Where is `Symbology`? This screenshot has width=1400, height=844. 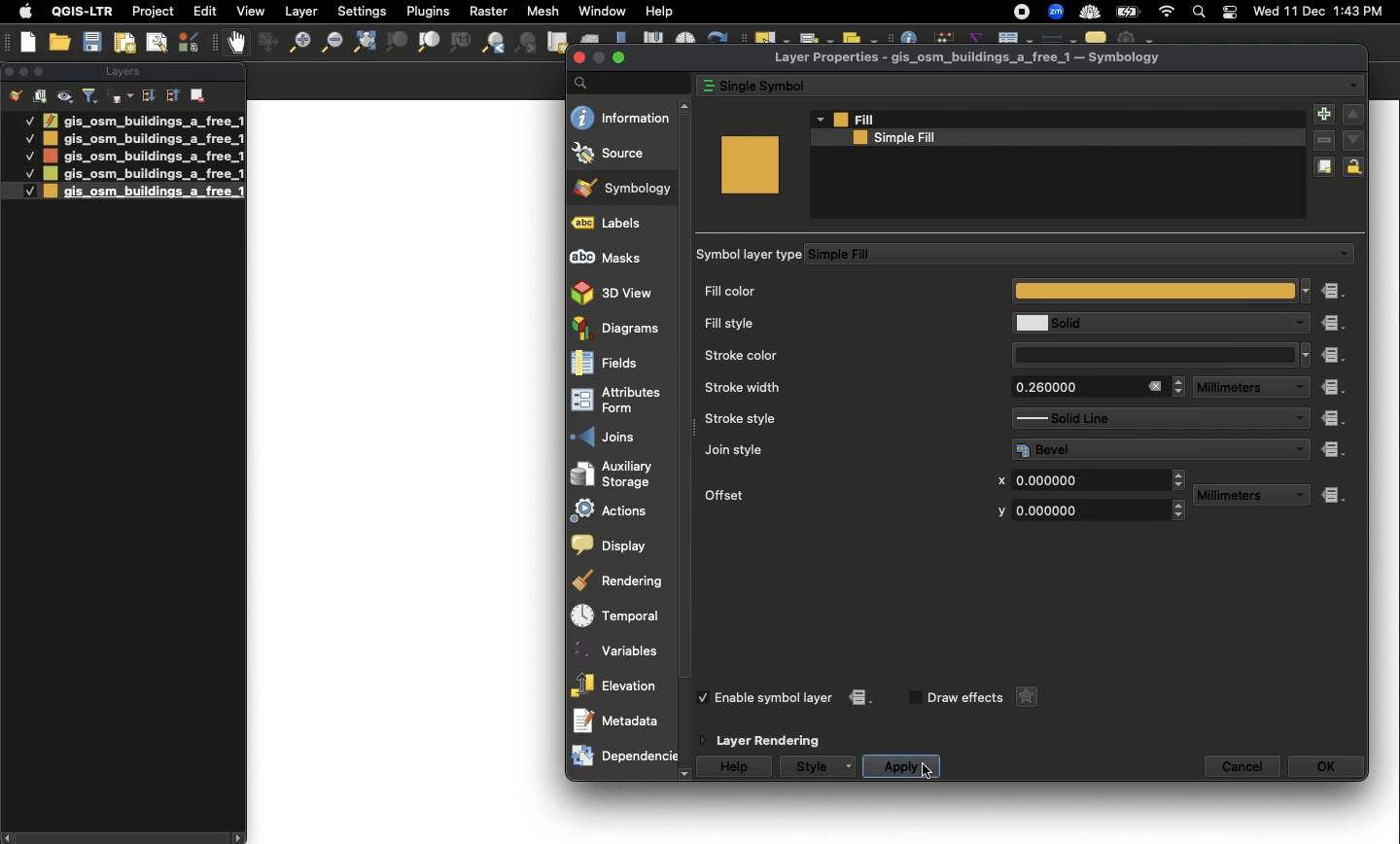
Symbology is located at coordinates (624, 189).